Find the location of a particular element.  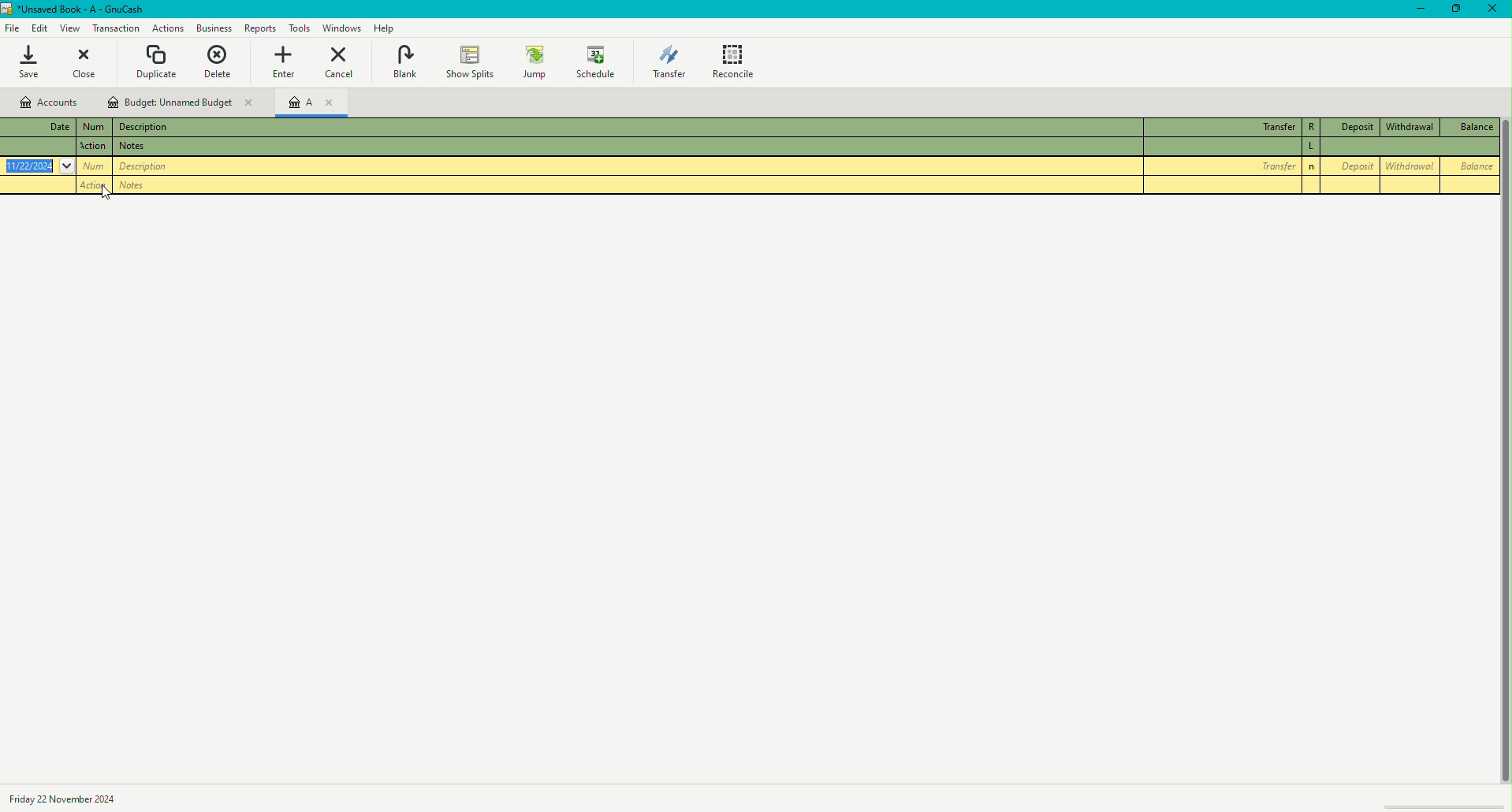

notes is located at coordinates (143, 183).